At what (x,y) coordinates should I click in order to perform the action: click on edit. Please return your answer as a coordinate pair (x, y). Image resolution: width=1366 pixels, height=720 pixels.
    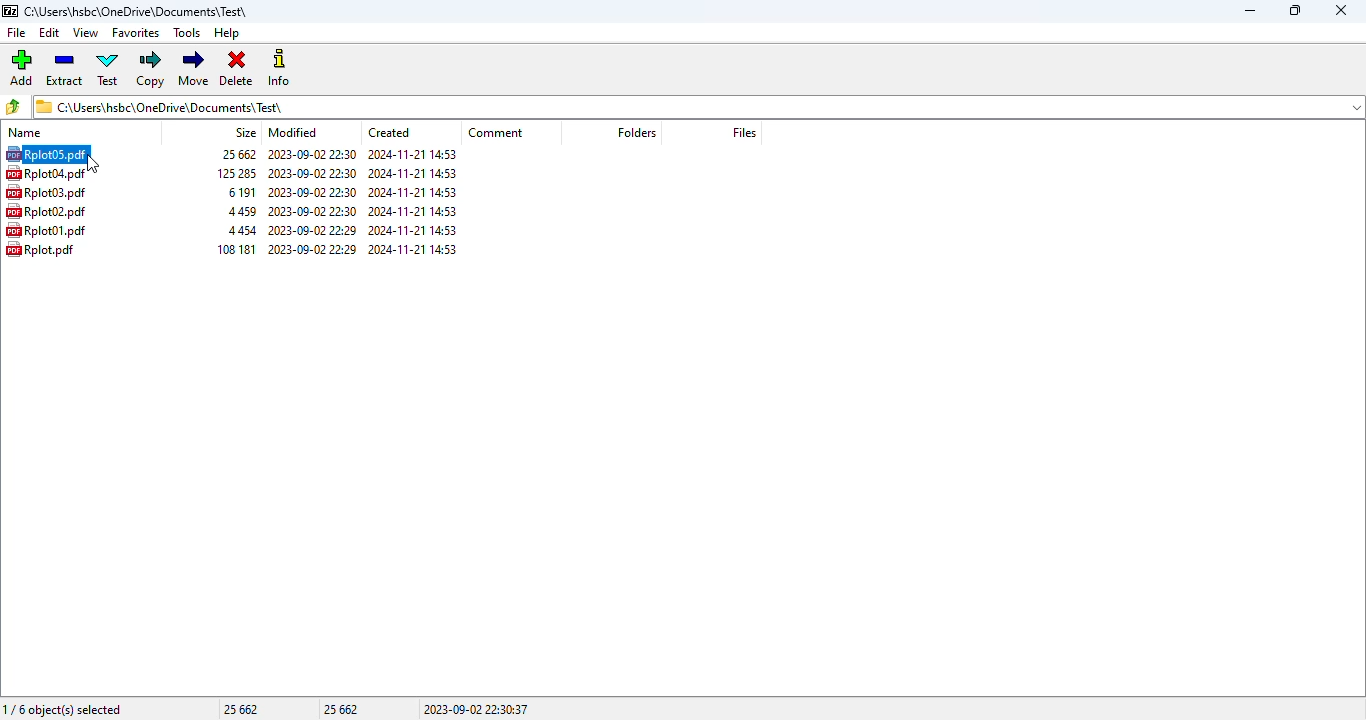
    Looking at the image, I should click on (50, 33).